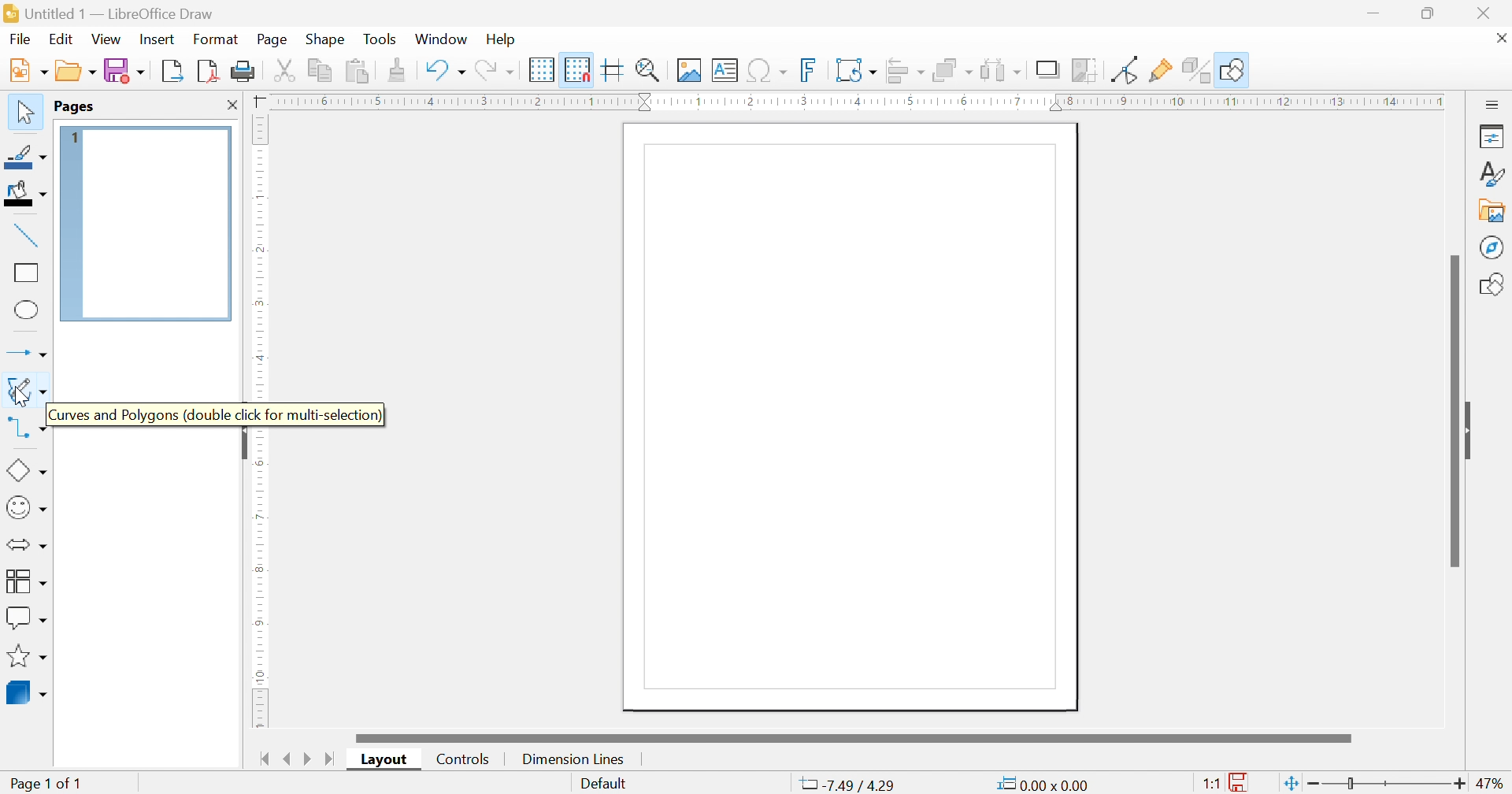  Describe the element at coordinates (24, 655) in the screenshot. I see `stars & banners` at that location.